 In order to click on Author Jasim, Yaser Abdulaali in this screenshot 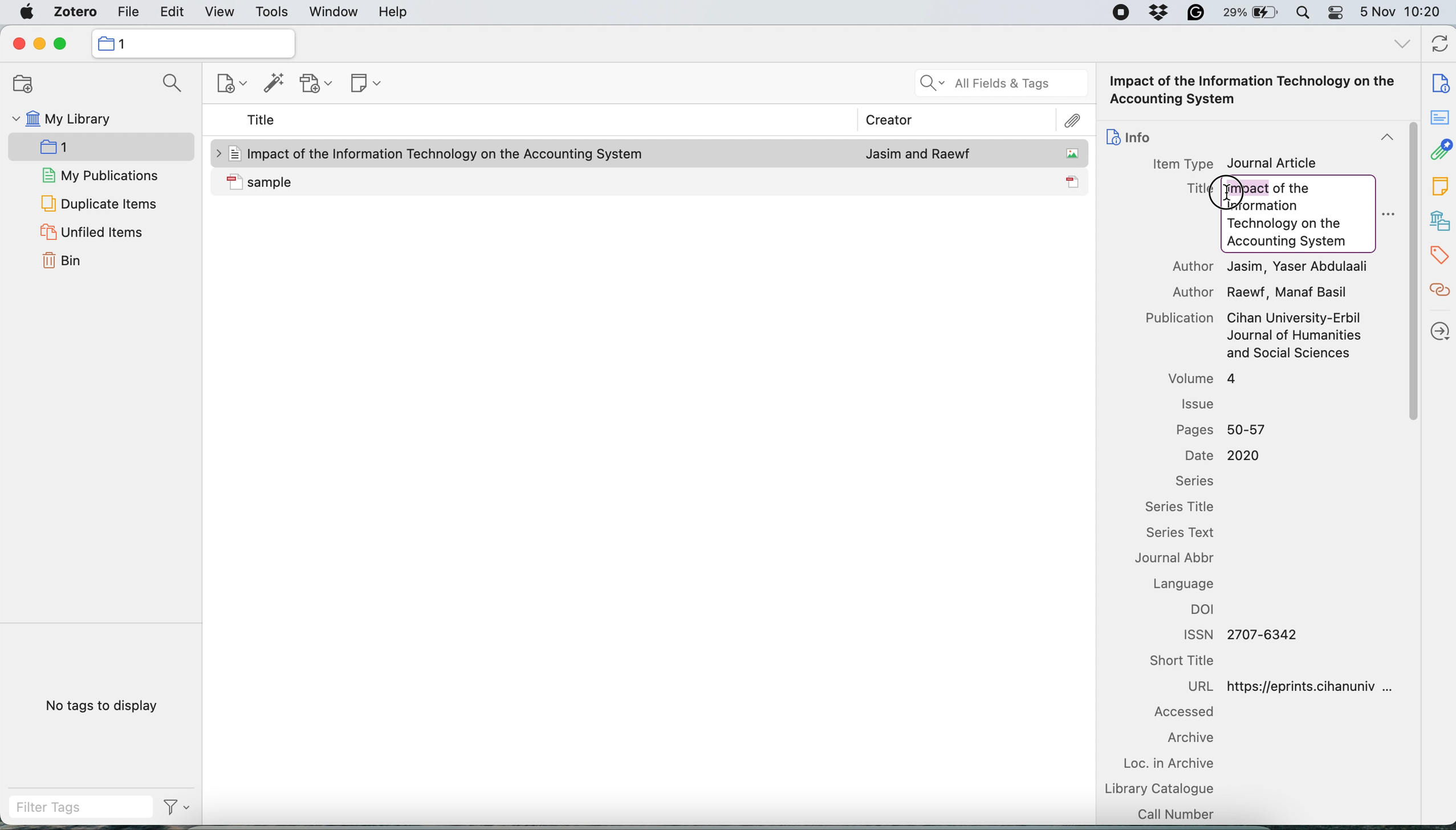, I will do `click(1272, 267)`.